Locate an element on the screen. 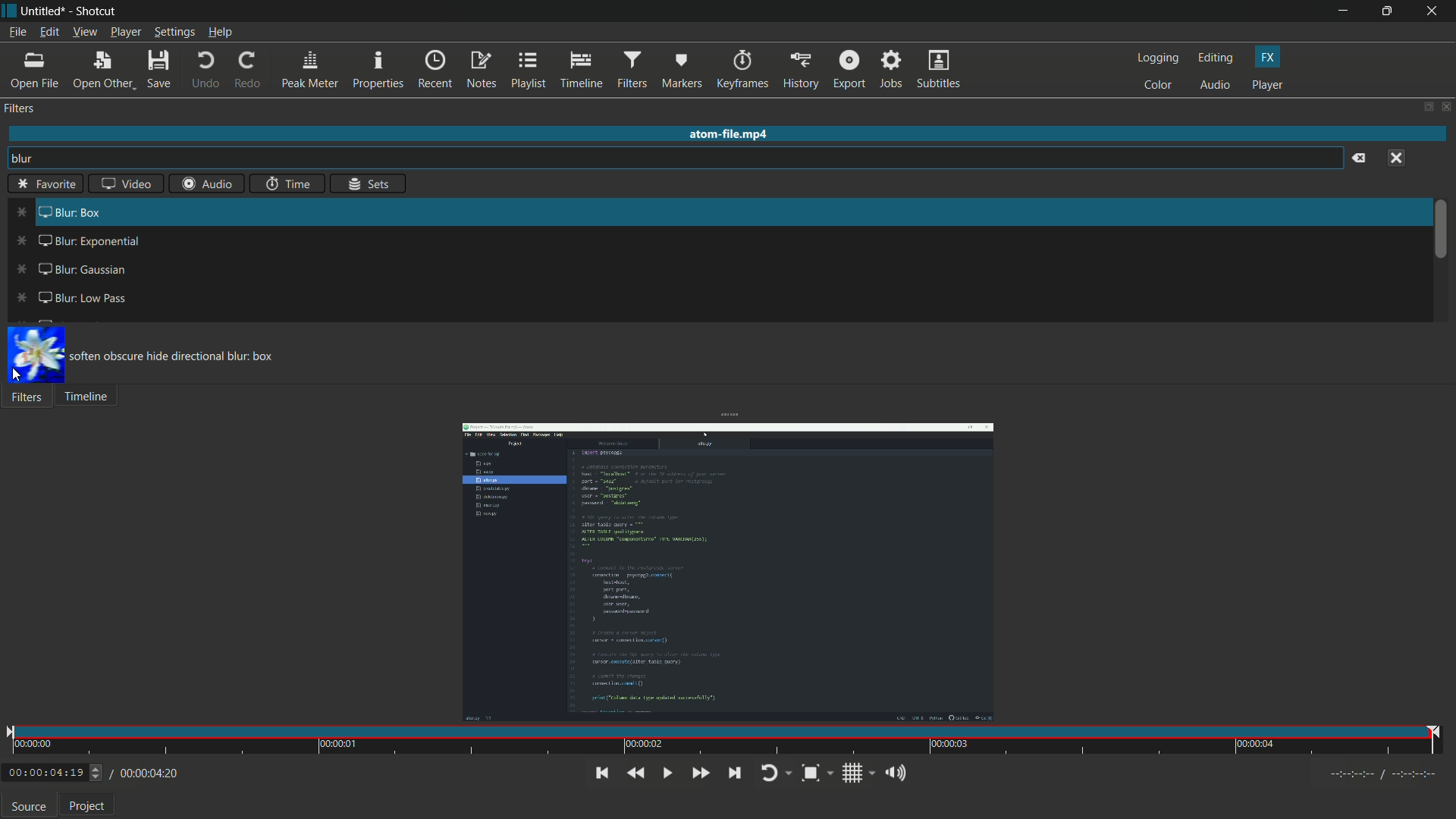  skip to the previous point is located at coordinates (600, 773).